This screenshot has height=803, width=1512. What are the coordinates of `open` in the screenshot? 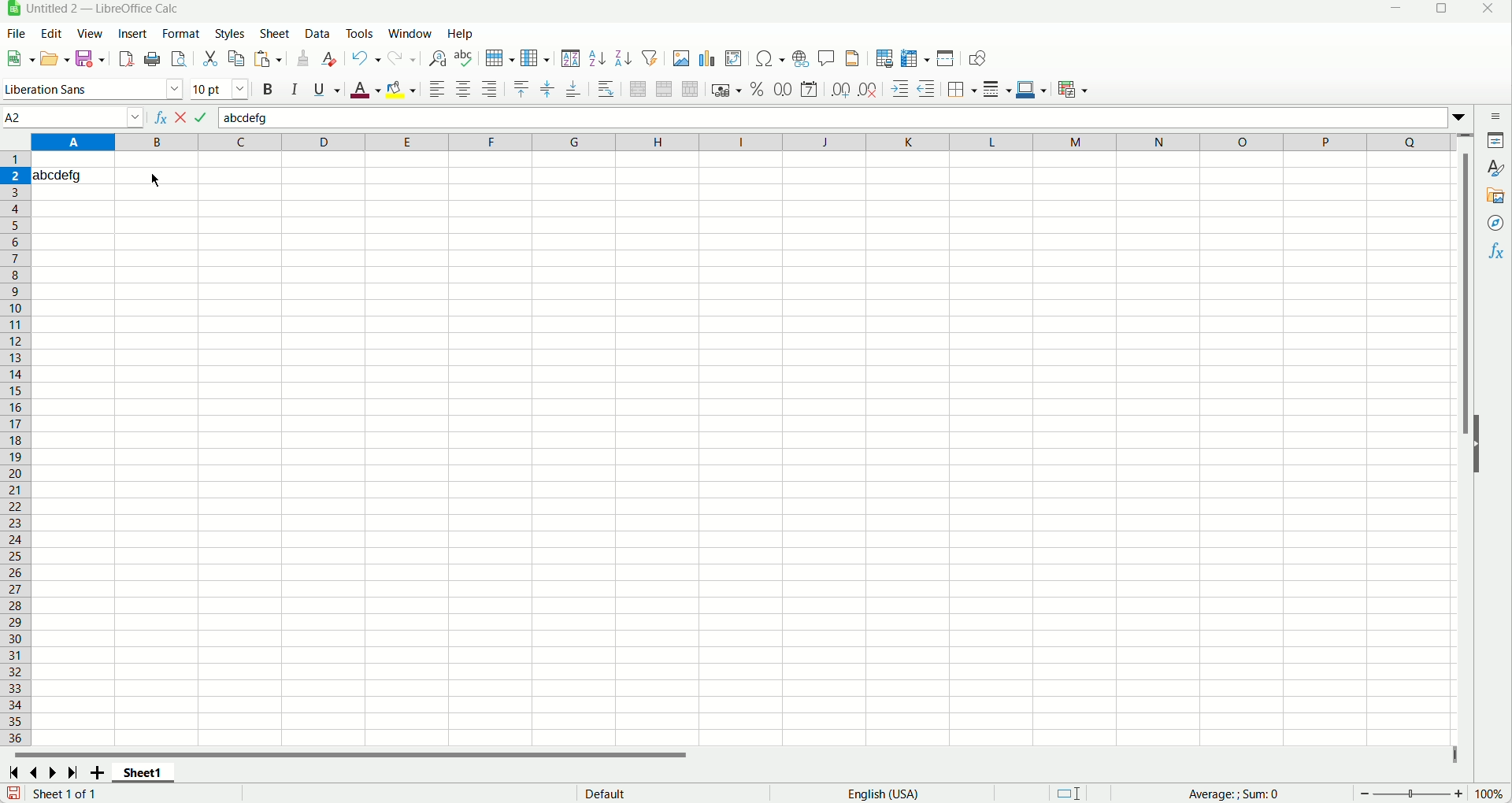 It's located at (54, 57).